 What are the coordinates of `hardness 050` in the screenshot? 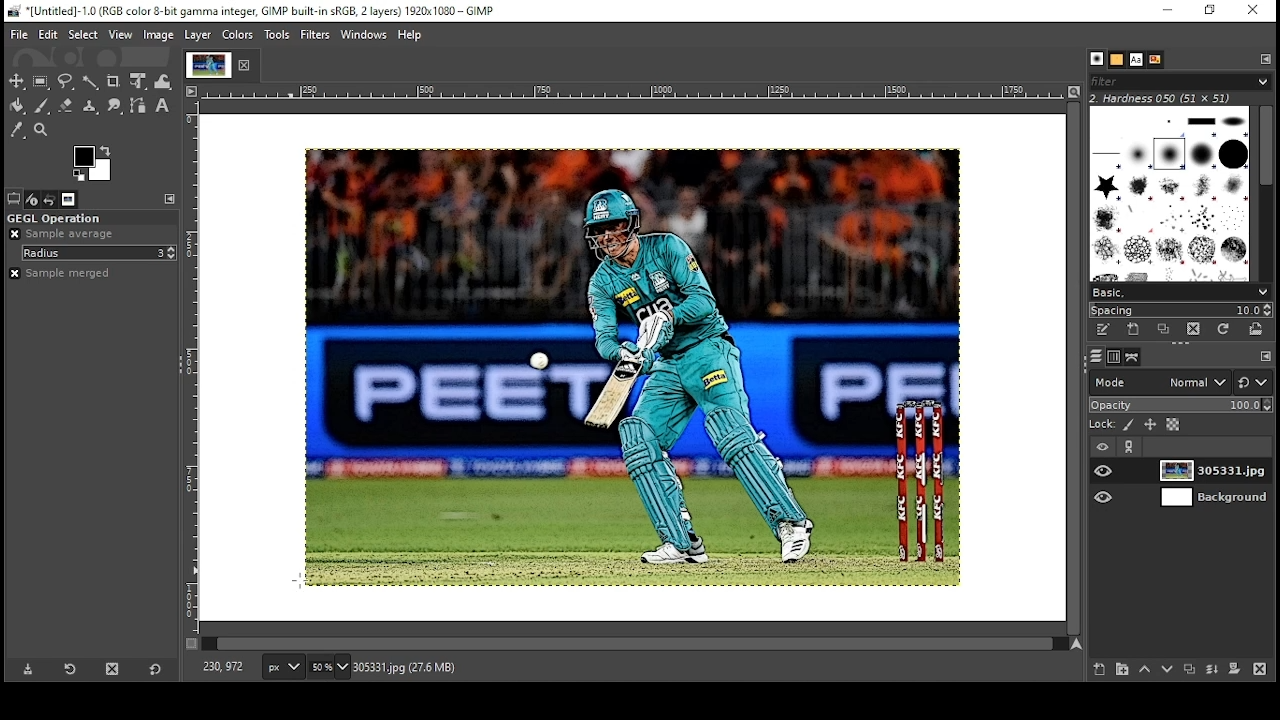 It's located at (1175, 98).